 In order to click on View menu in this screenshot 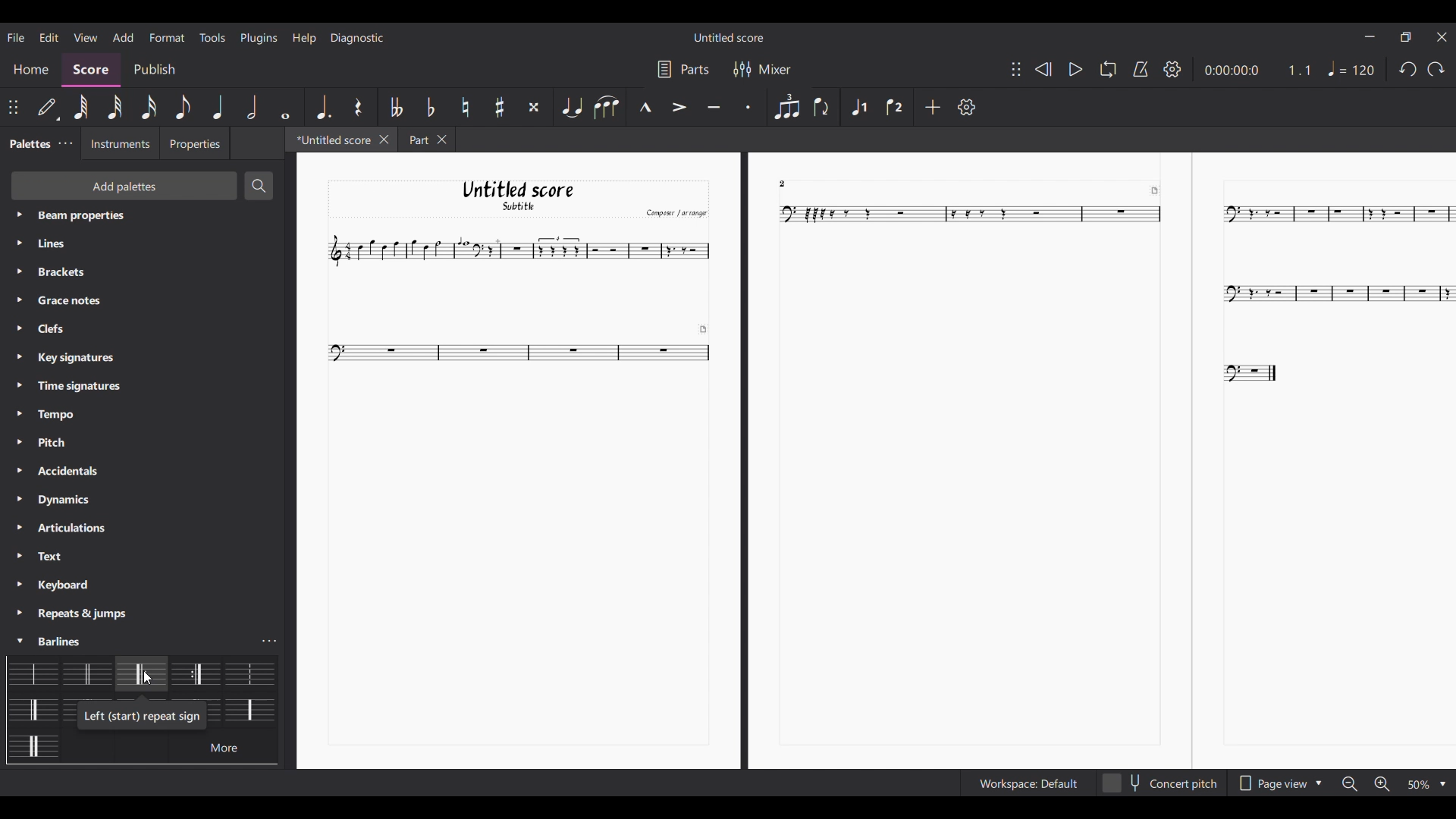, I will do `click(86, 36)`.